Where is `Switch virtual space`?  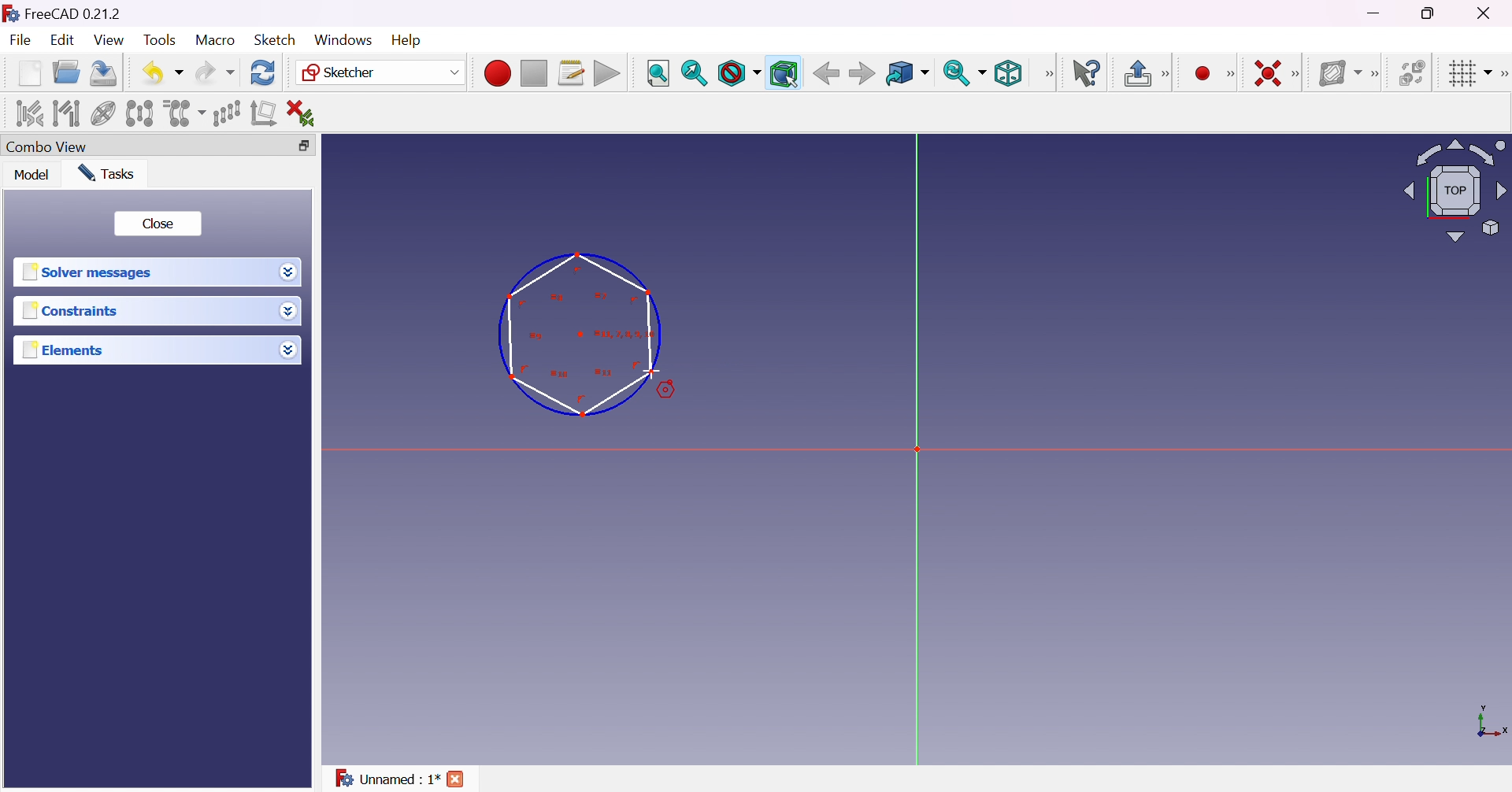
Switch virtual space is located at coordinates (1410, 72).